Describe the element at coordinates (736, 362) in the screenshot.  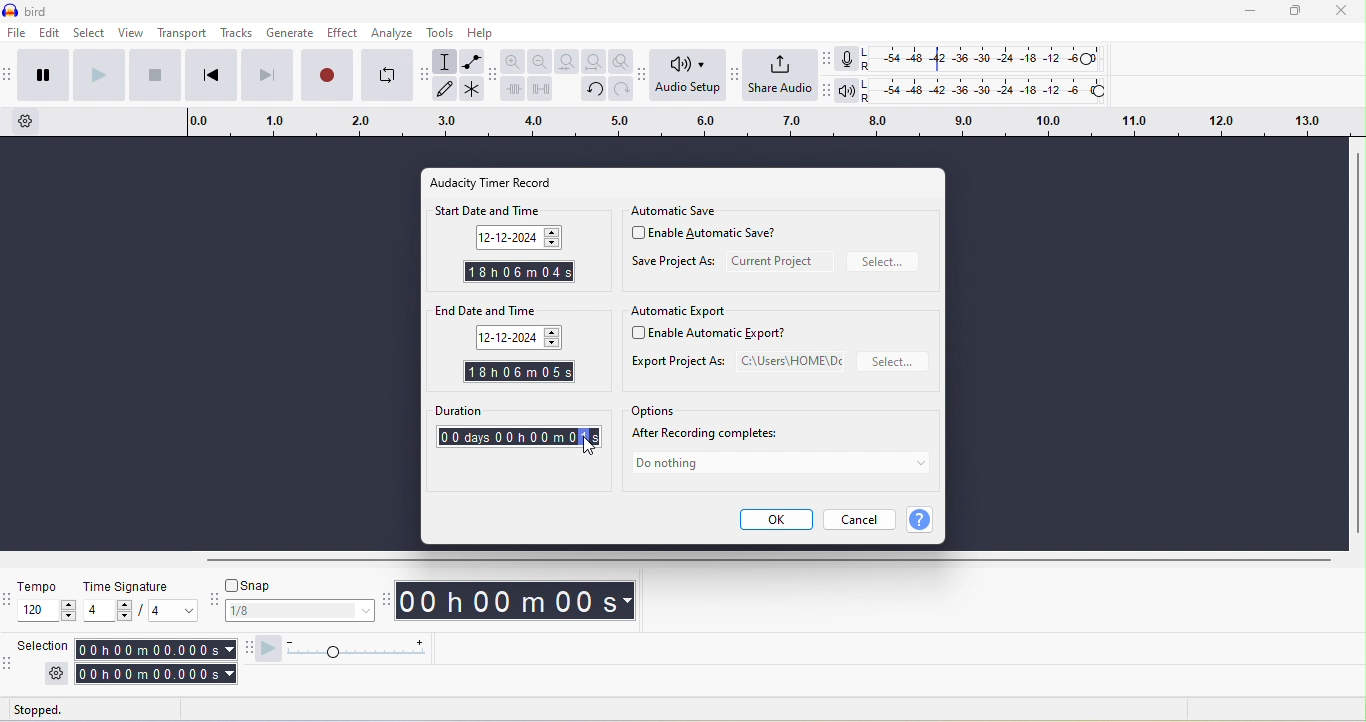
I see `export project as` at that location.